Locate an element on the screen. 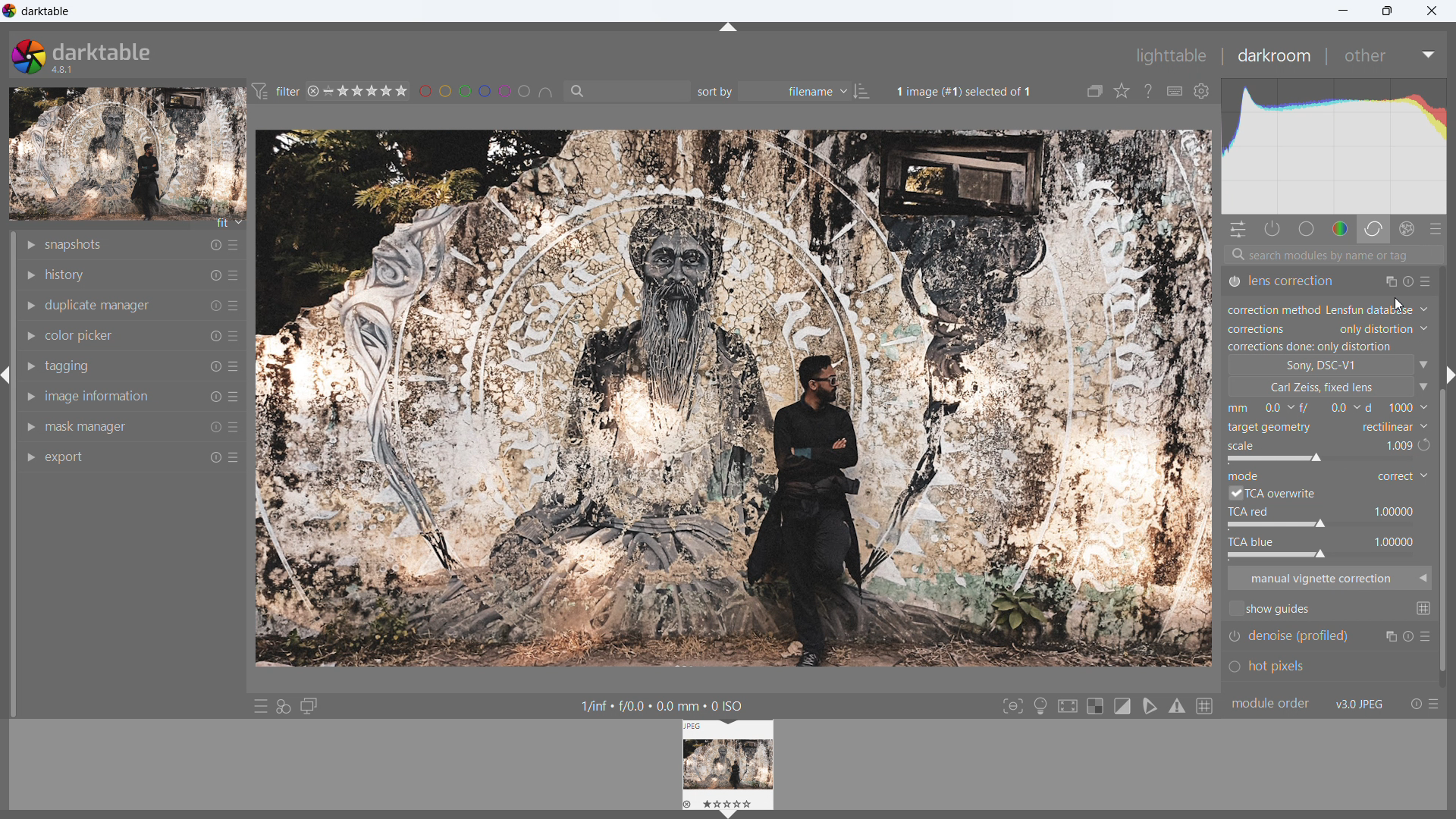  history is located at coordinates (66, 275).